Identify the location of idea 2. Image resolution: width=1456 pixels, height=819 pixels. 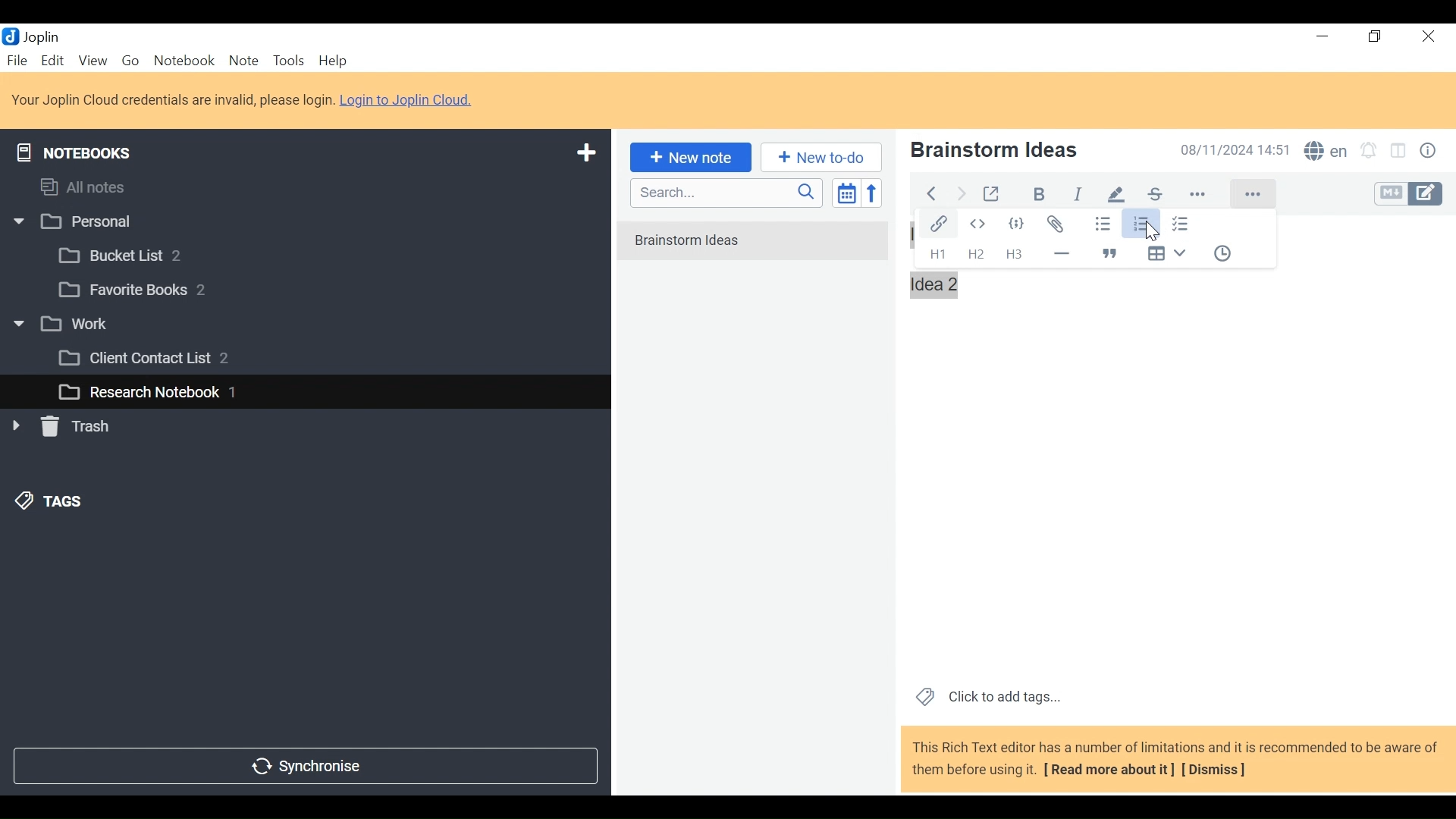
(934, 287).